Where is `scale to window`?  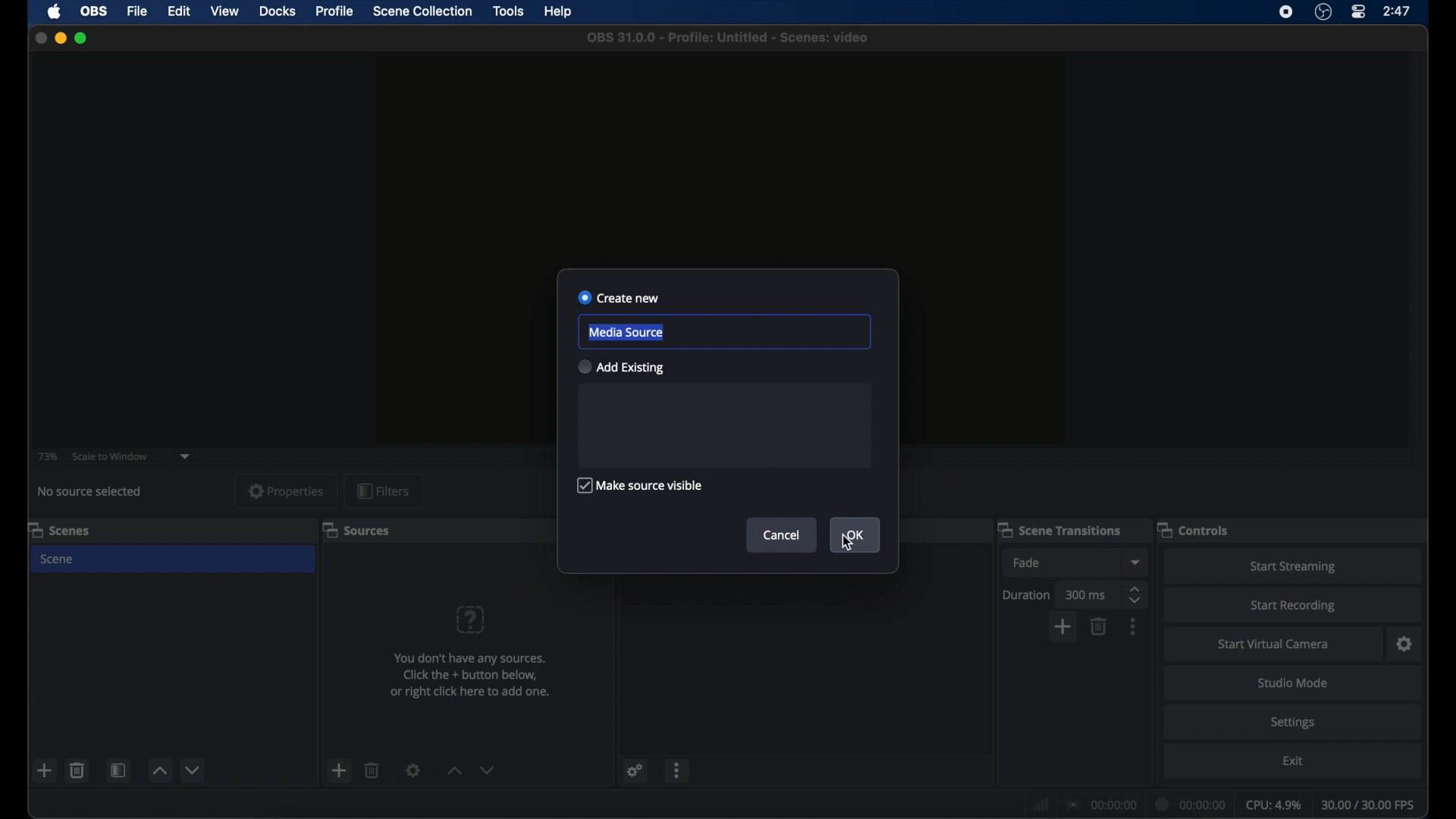
scale to window is located at coordinates (110, 457).